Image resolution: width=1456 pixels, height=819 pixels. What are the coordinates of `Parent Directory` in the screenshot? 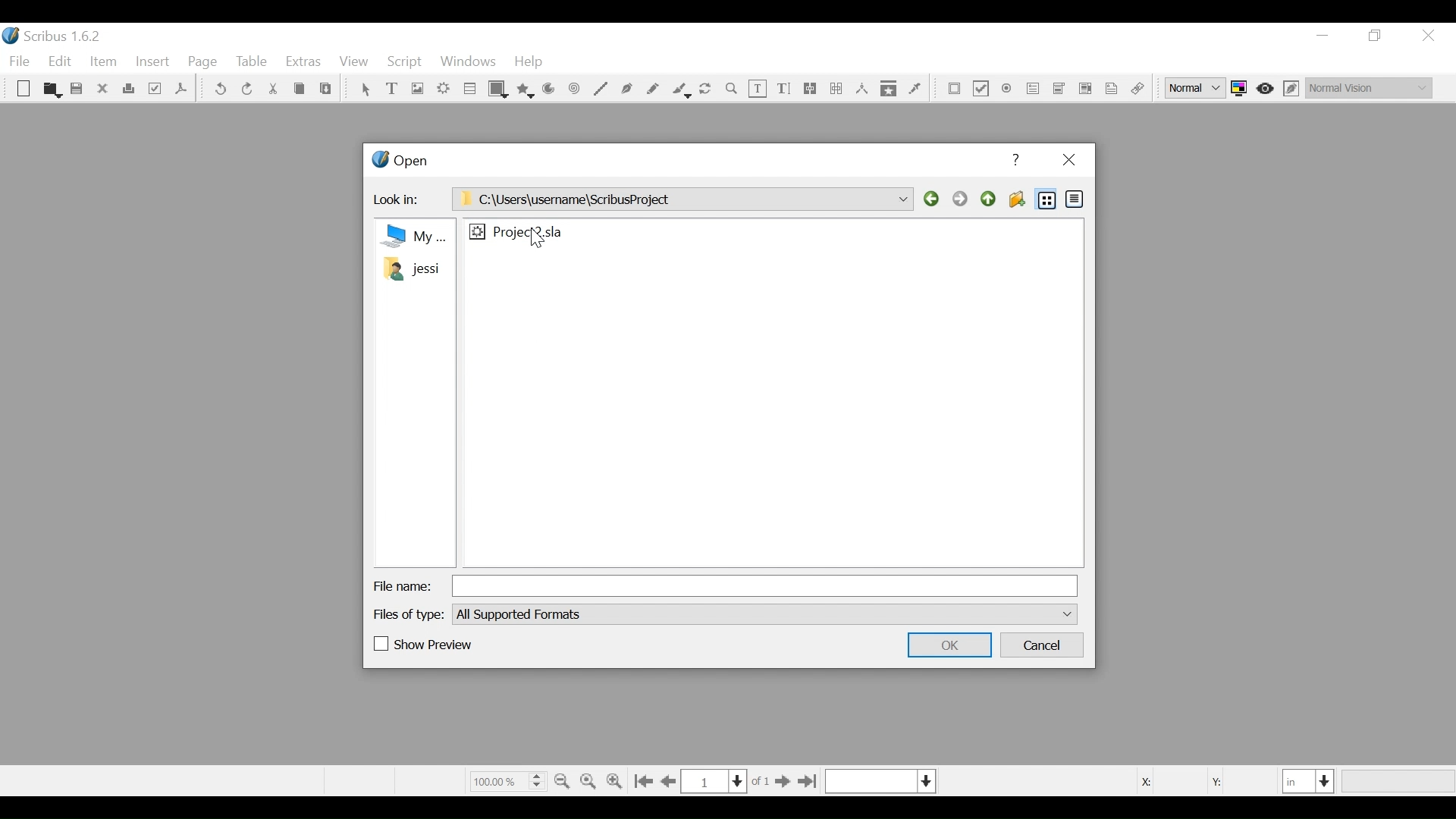 It's located at (990, 199).